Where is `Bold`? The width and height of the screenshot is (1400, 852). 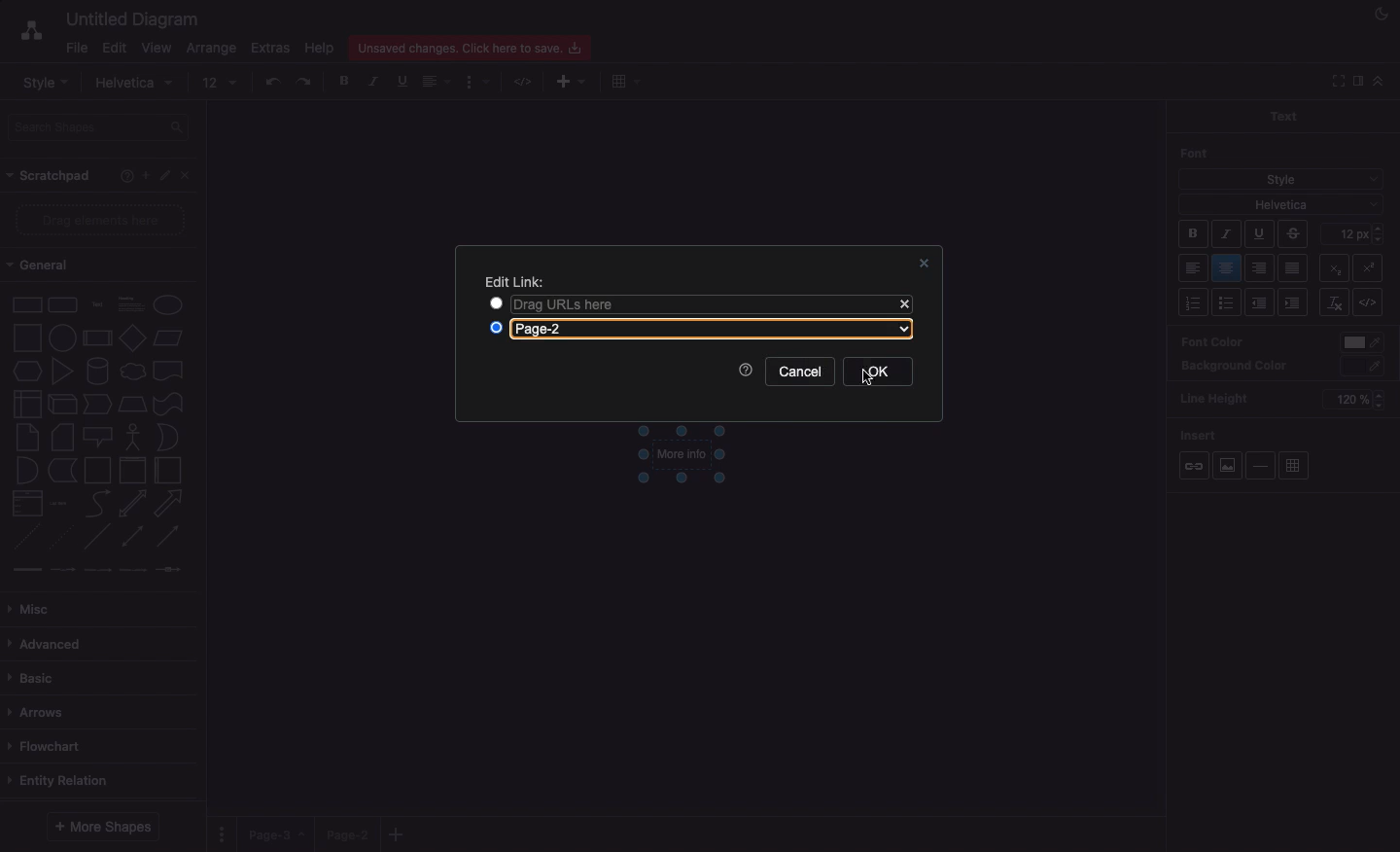
Bold is located at coordinates (1194, 236).